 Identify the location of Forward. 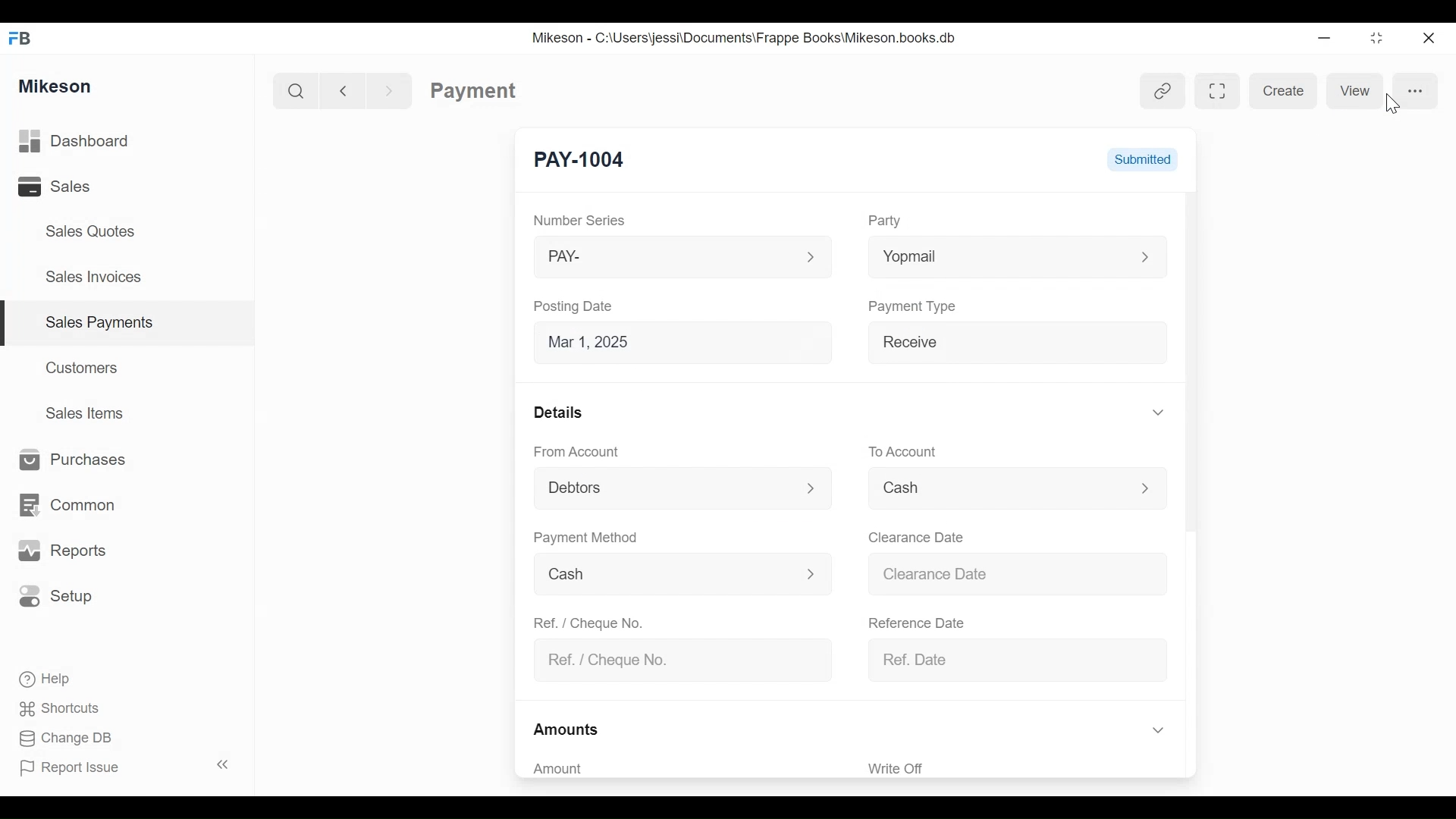
(394, 89).